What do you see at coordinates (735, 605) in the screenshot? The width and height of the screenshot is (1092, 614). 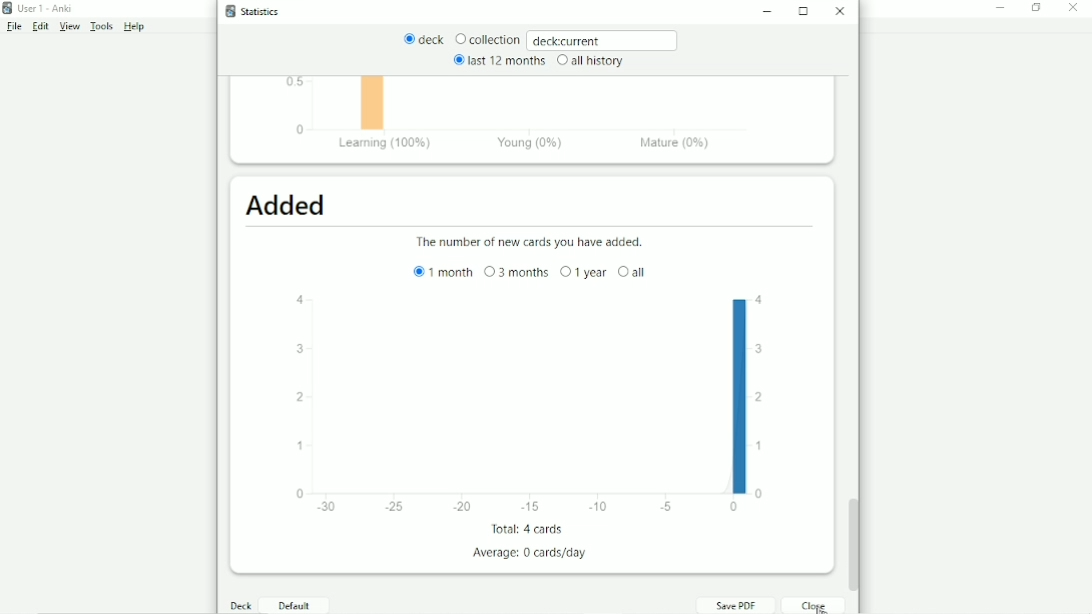 I see `Save PDF` at bounding box center [735, 605].